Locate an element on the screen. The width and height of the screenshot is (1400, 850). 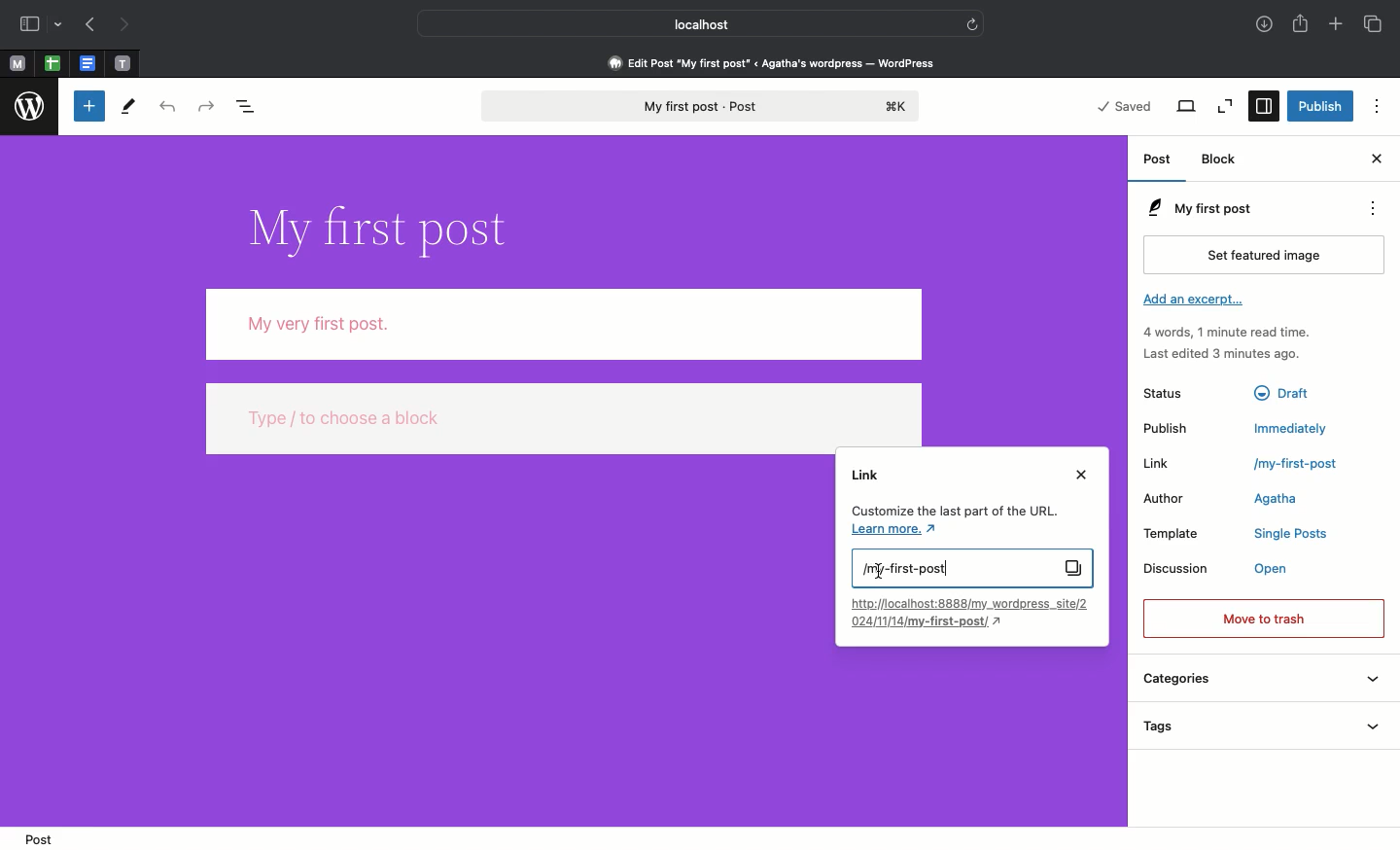
Settings selected is located at coordinates (1262, 106).